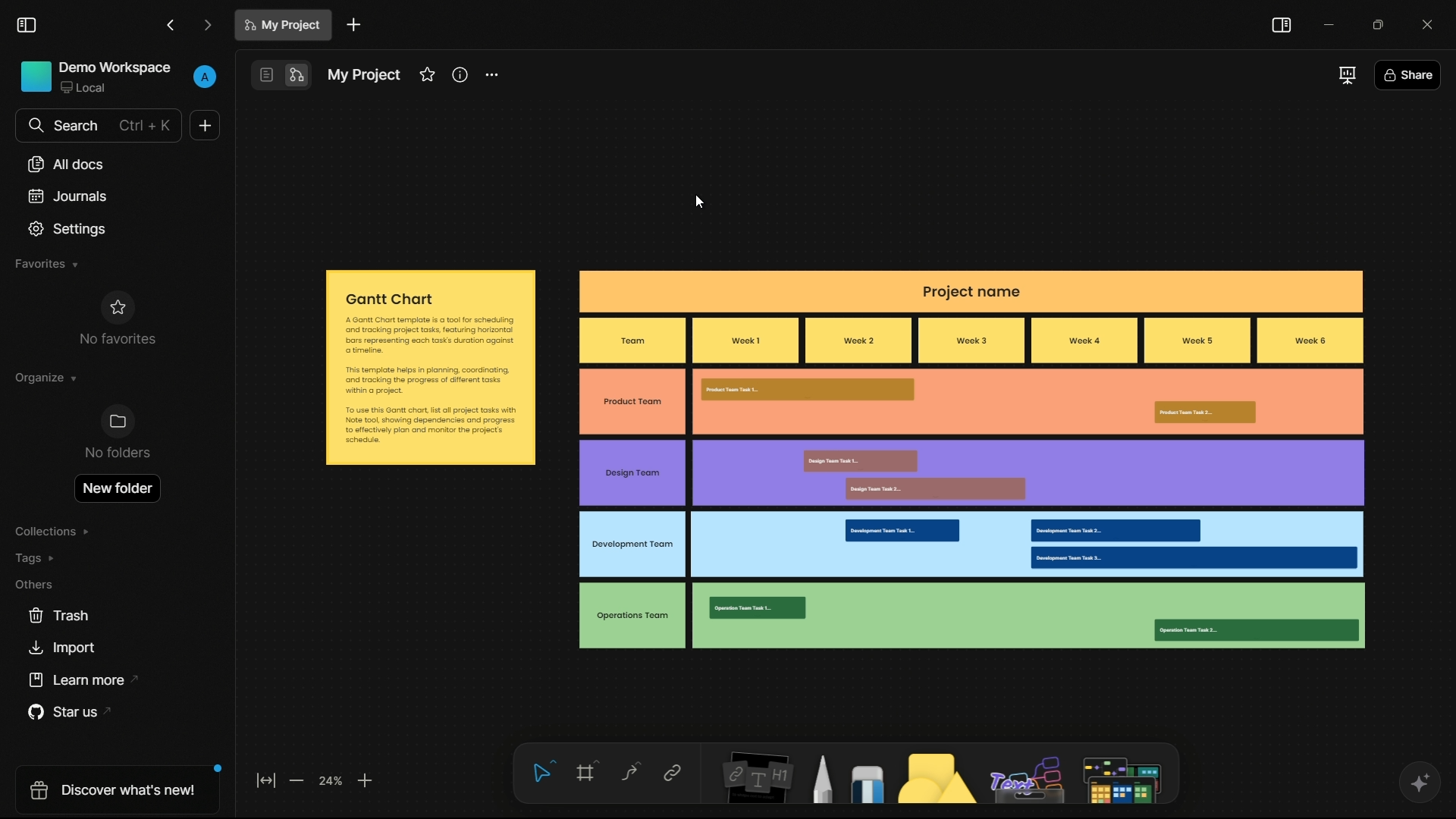 The image size is (1456, 819). I want to click on zoom factor, so click(333, 781).